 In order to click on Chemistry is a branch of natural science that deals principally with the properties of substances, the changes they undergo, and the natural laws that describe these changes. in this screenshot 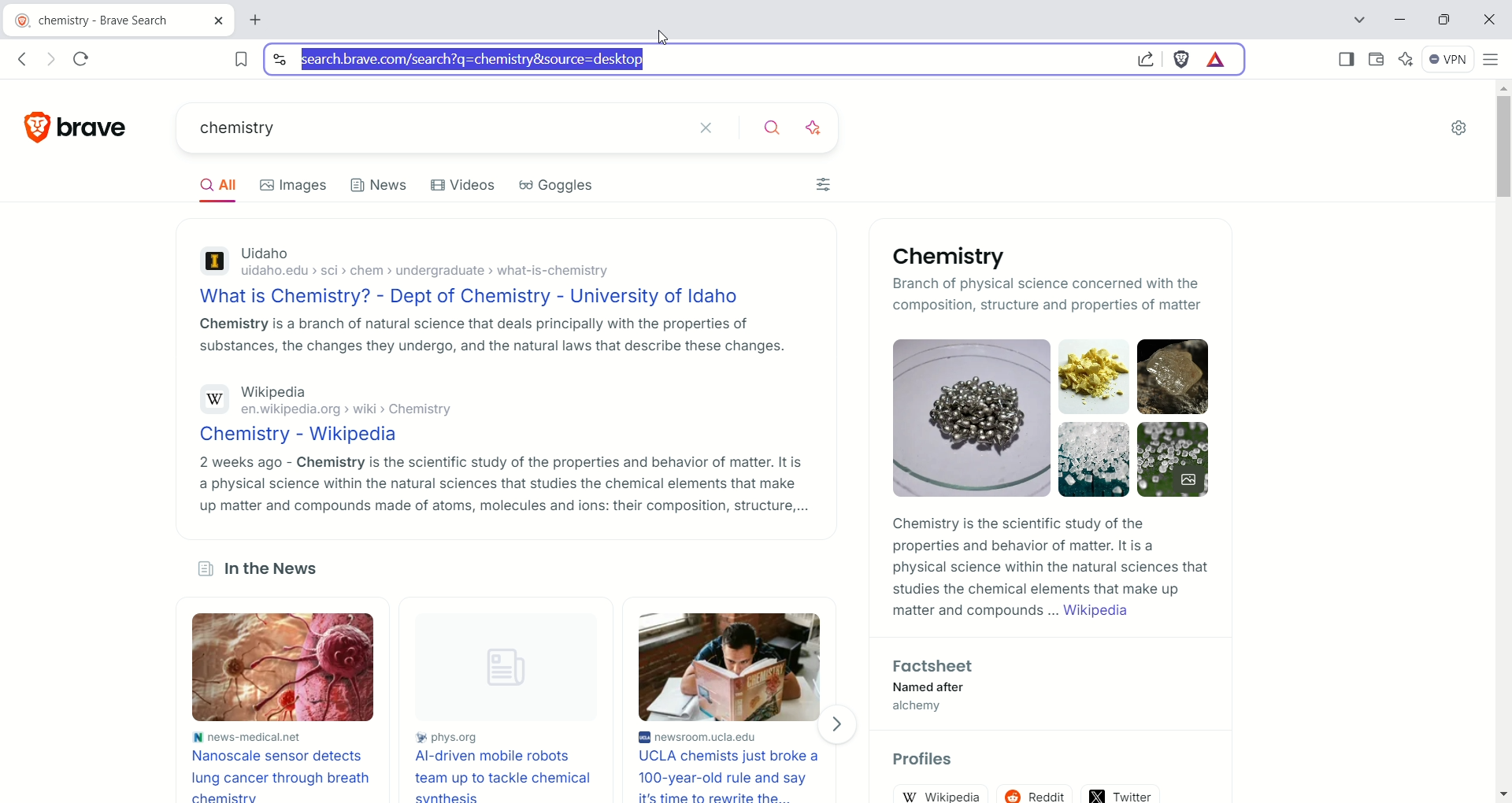, I will do `click(488, 334)`.